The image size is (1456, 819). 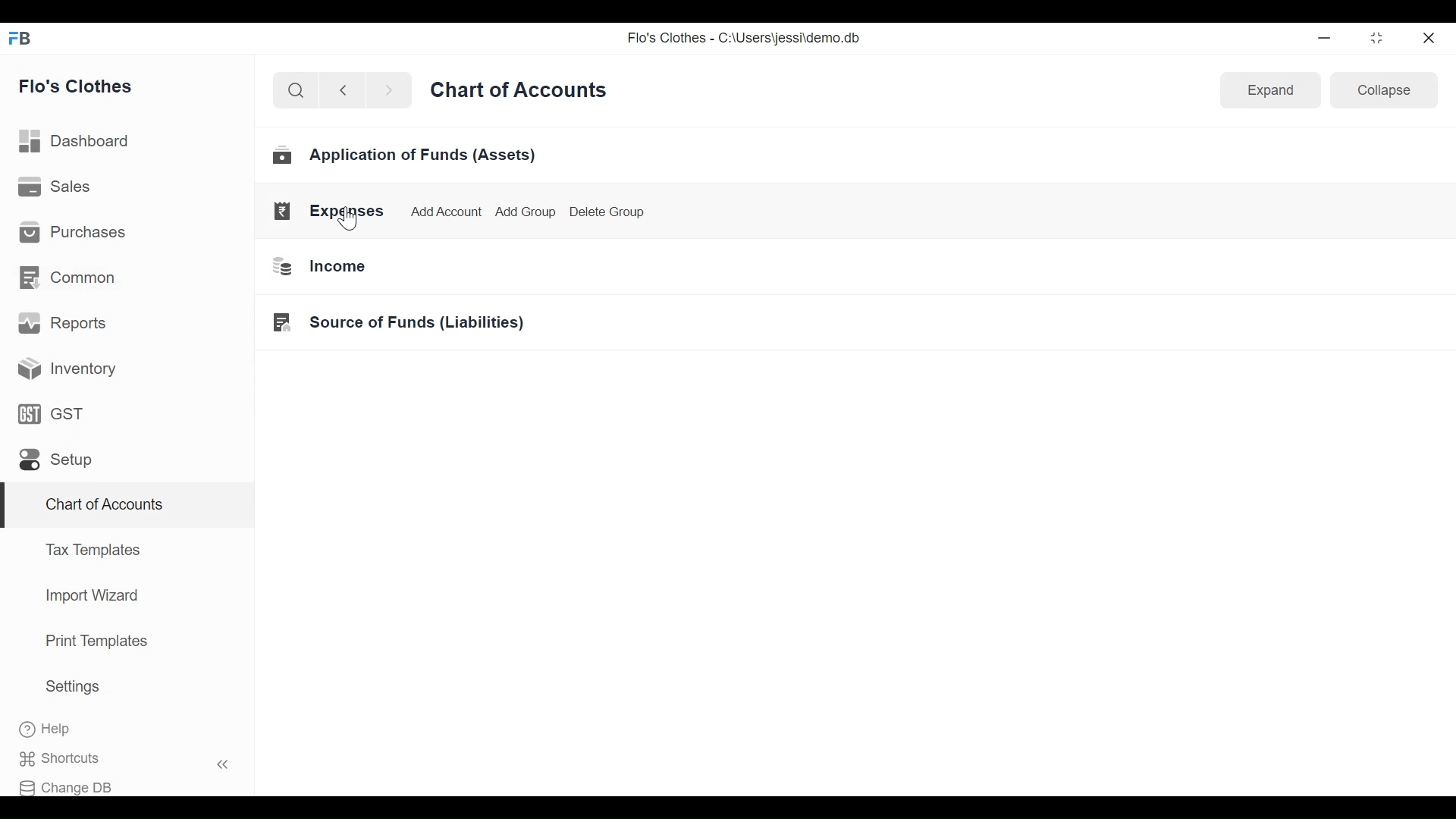 I want to click on Add Group, so click(x=529, y=211).